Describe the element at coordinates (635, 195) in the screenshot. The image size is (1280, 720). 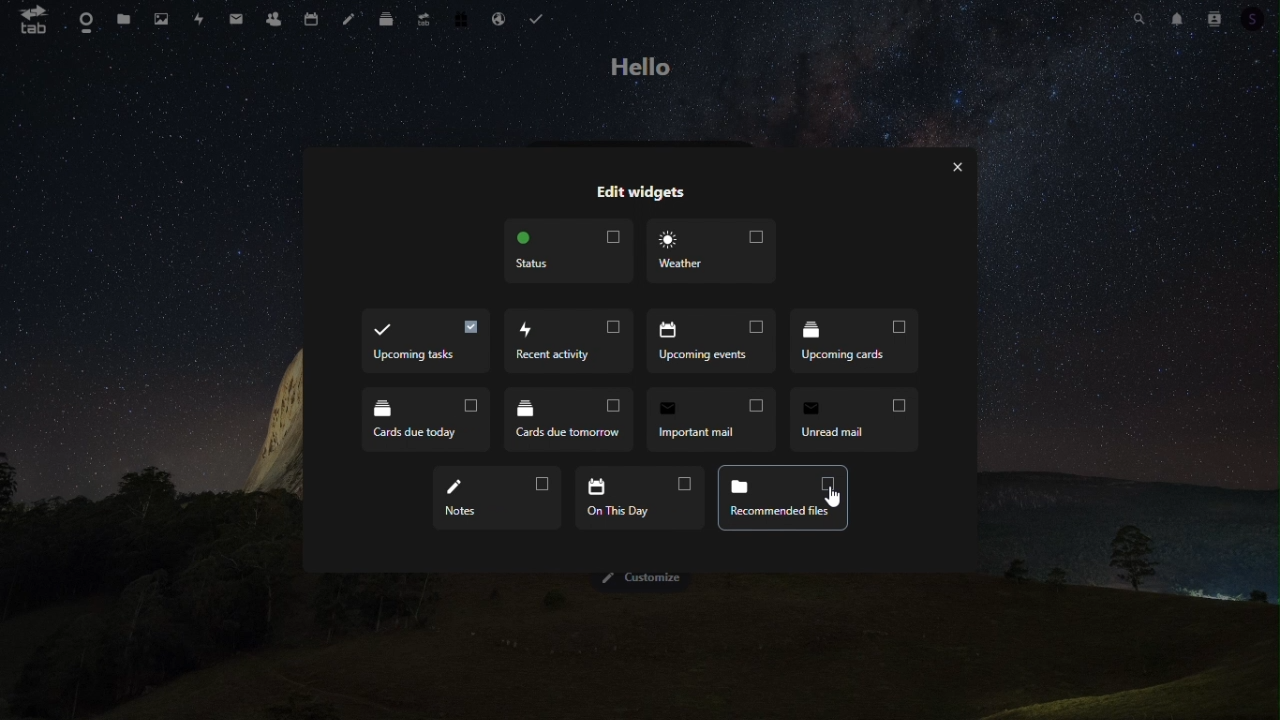
I see `edit widgets` at that location.